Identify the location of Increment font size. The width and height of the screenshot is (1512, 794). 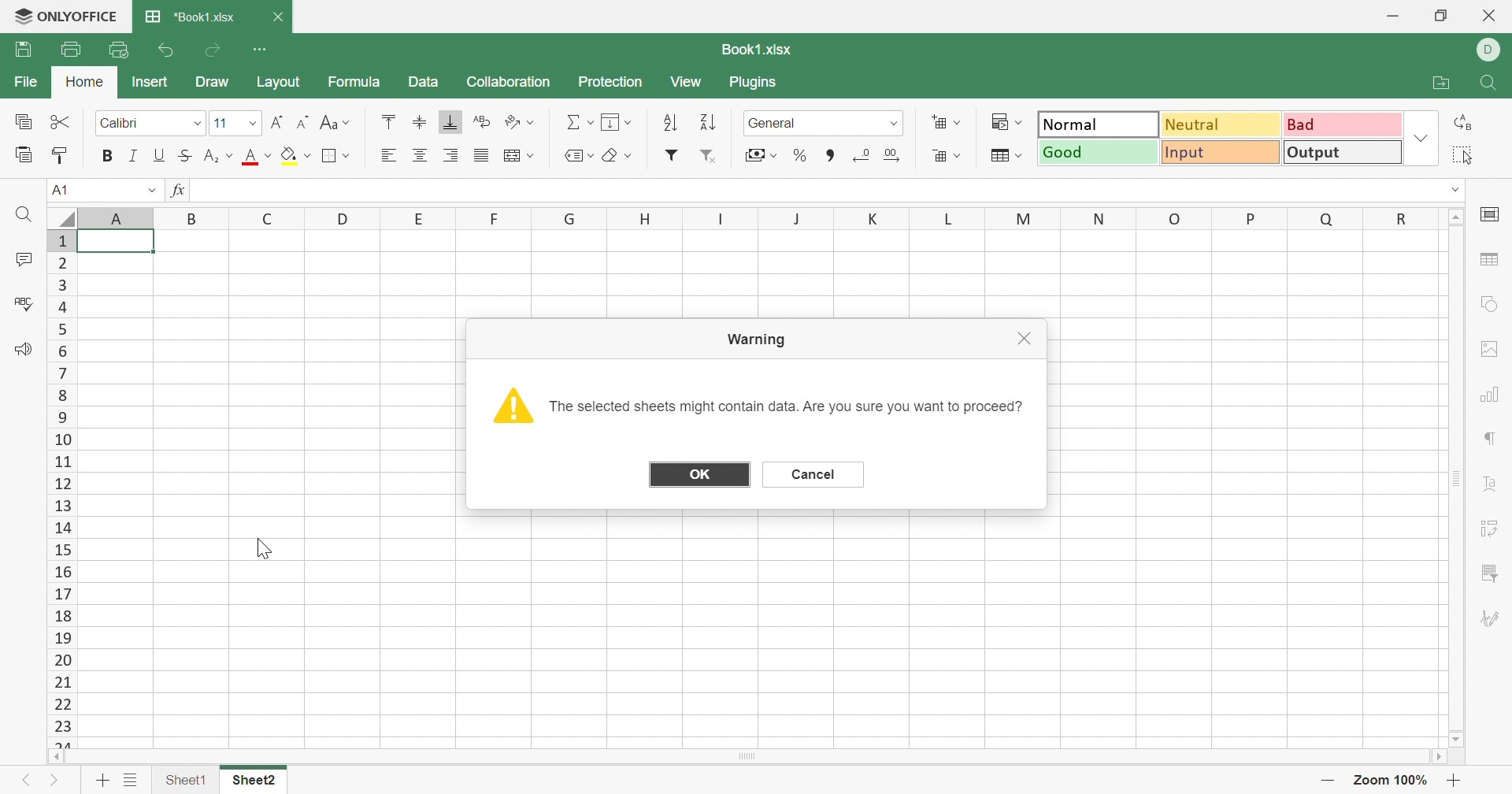
(277, 121).